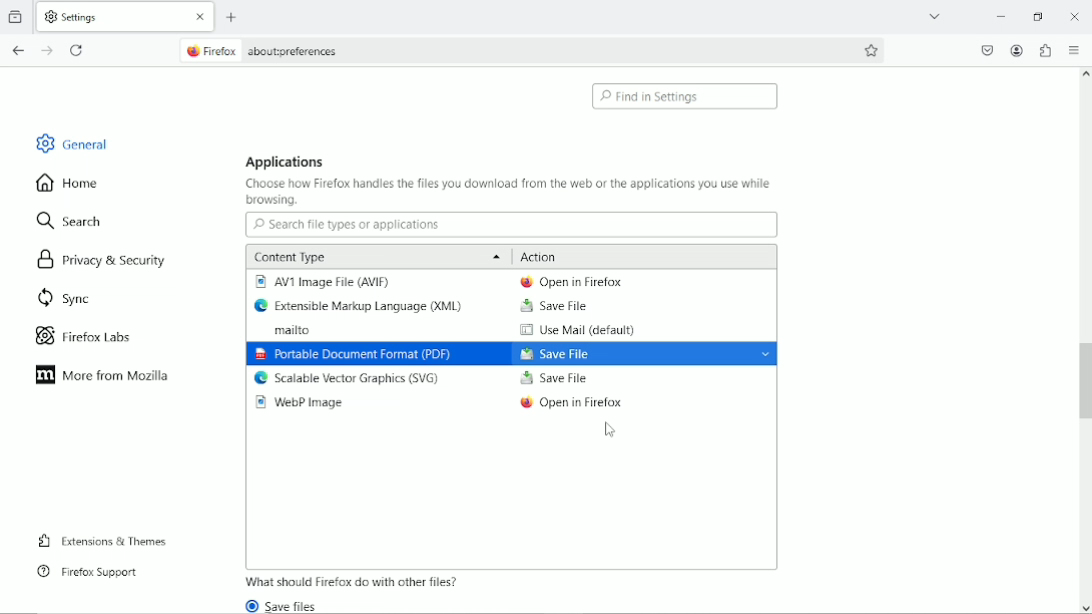  Describe the element at coordinates (511, 225) in the screenshot. I see `Search the file types  or applications` at that location.